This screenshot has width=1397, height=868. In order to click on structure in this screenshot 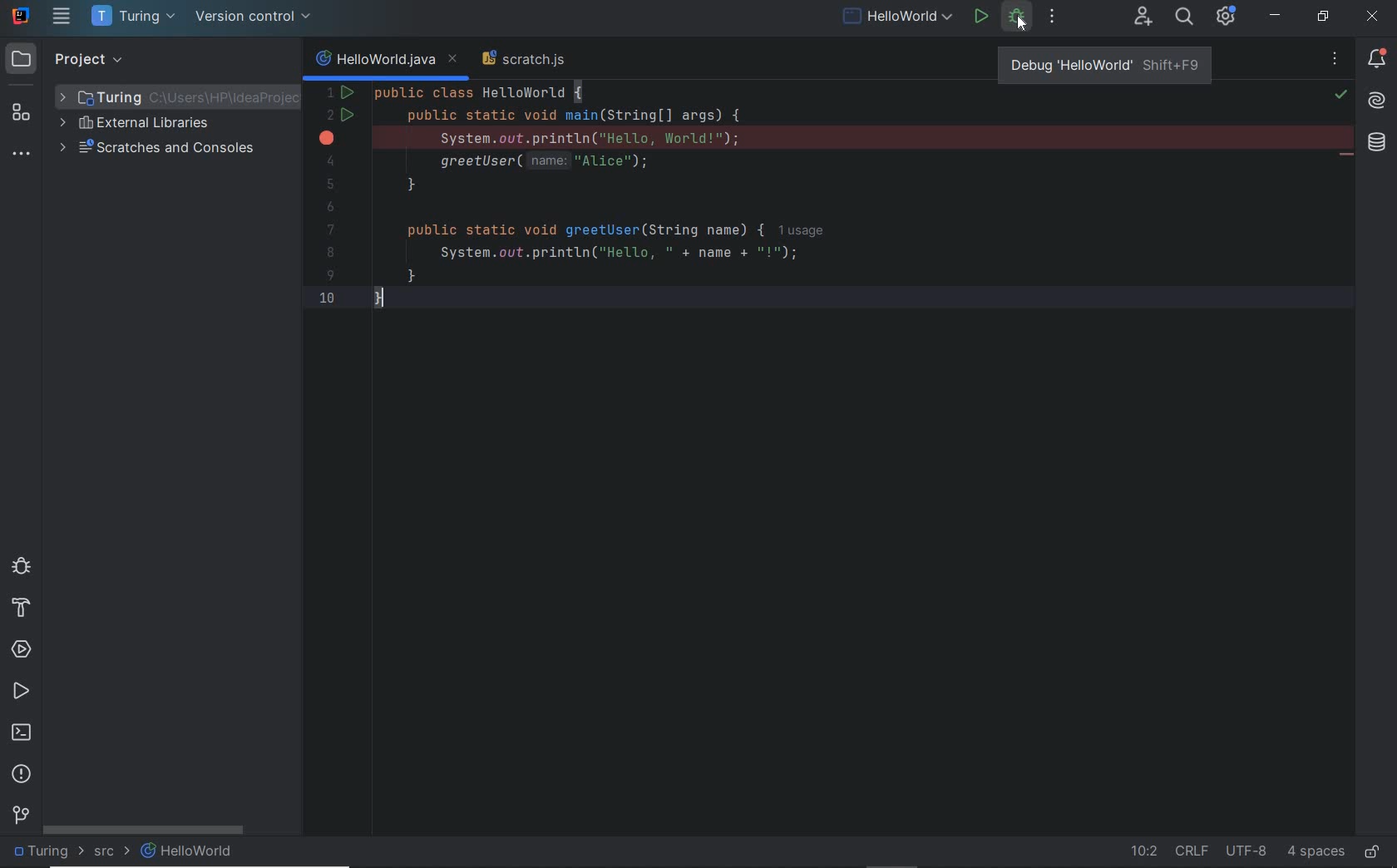, I will do `click(22, 116)`.